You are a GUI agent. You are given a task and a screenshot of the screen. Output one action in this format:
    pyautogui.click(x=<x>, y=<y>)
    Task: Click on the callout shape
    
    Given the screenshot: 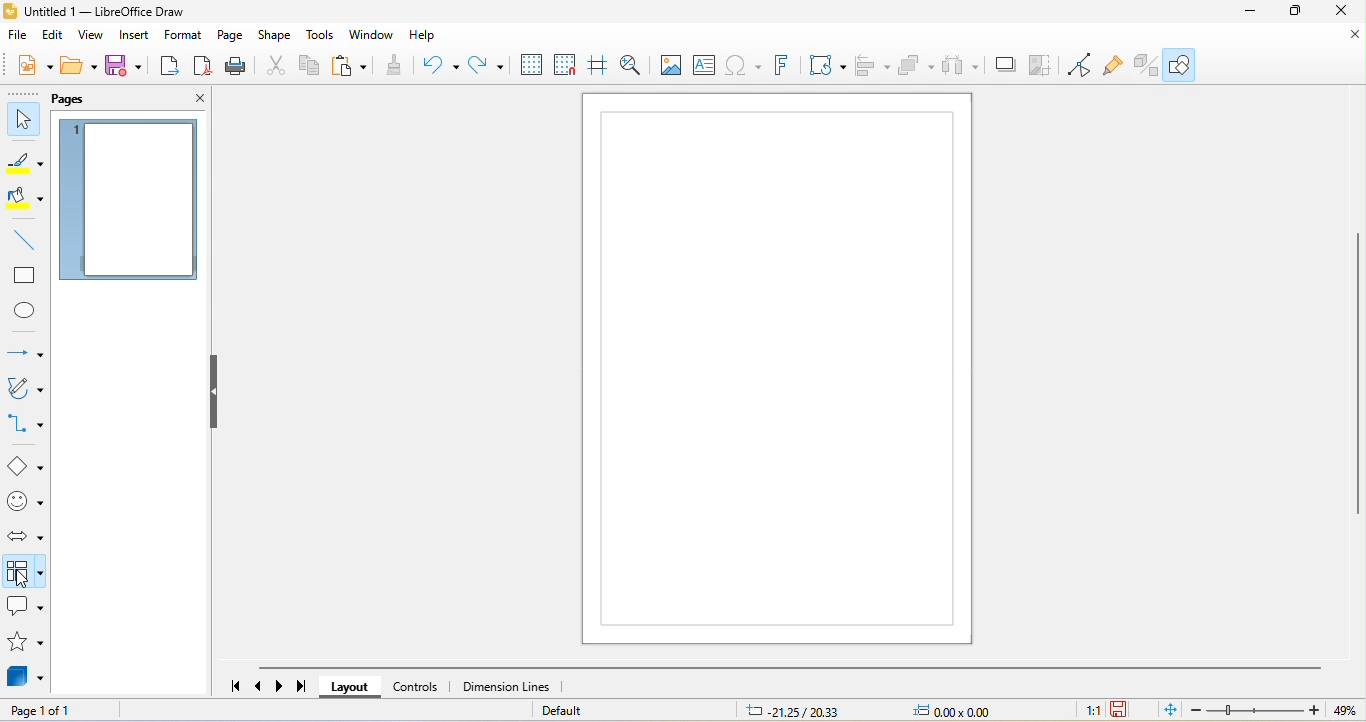 What is the action you would take?
    pyautogui.click(x=26, y=607)
    